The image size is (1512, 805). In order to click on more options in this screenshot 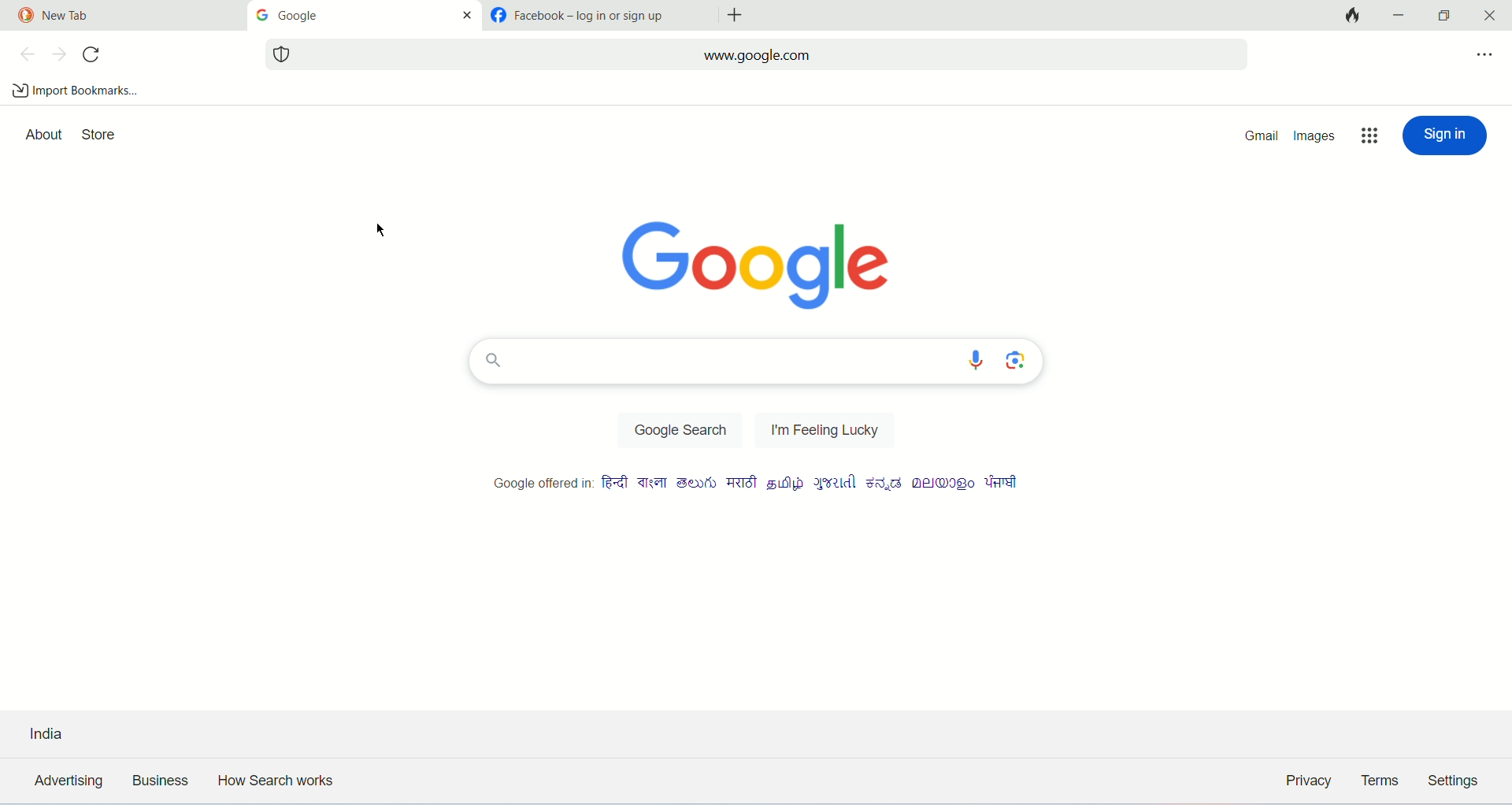, I will do `click(1487, 61)`.